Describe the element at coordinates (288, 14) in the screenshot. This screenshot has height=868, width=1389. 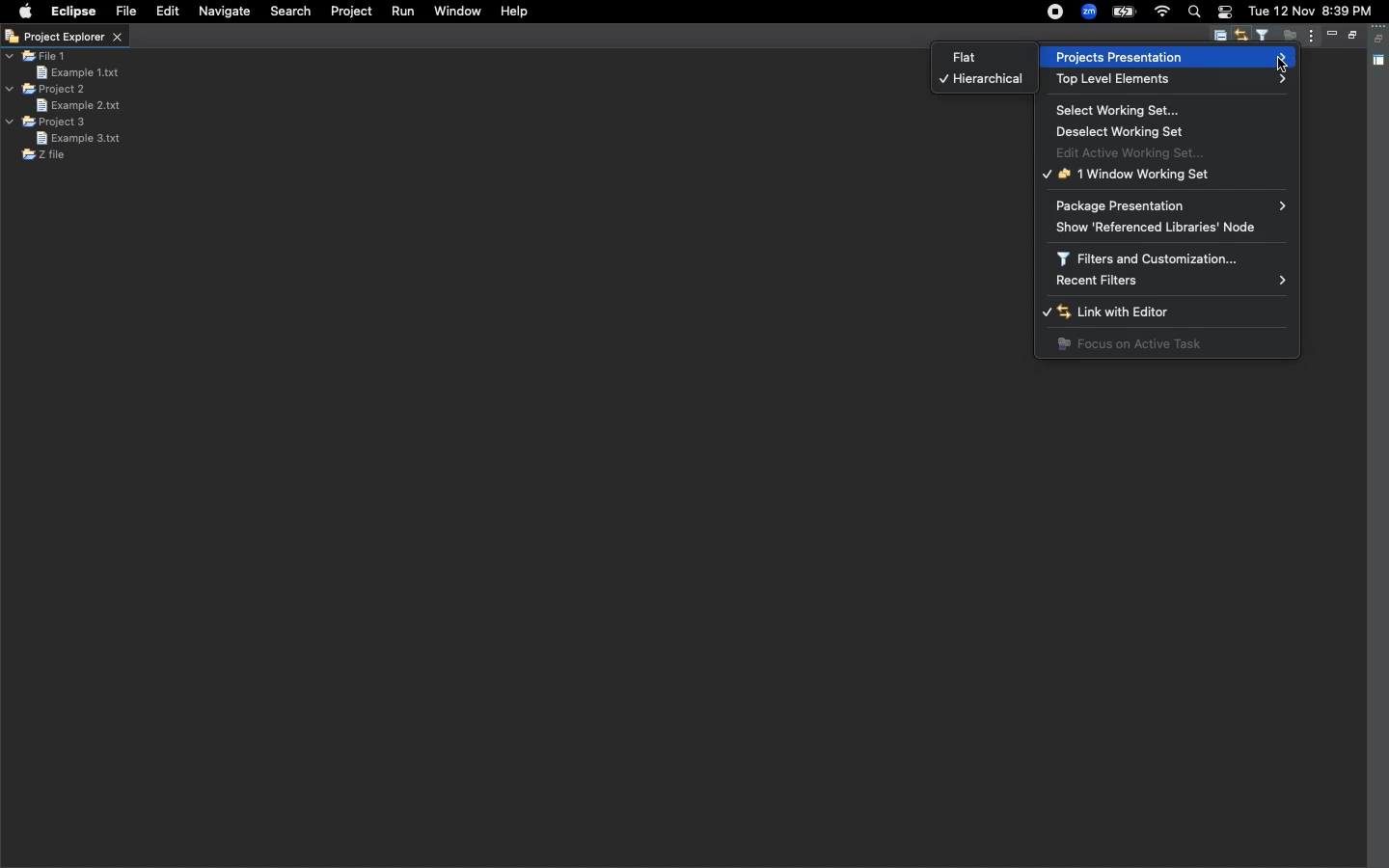
I see `Search` at that location.